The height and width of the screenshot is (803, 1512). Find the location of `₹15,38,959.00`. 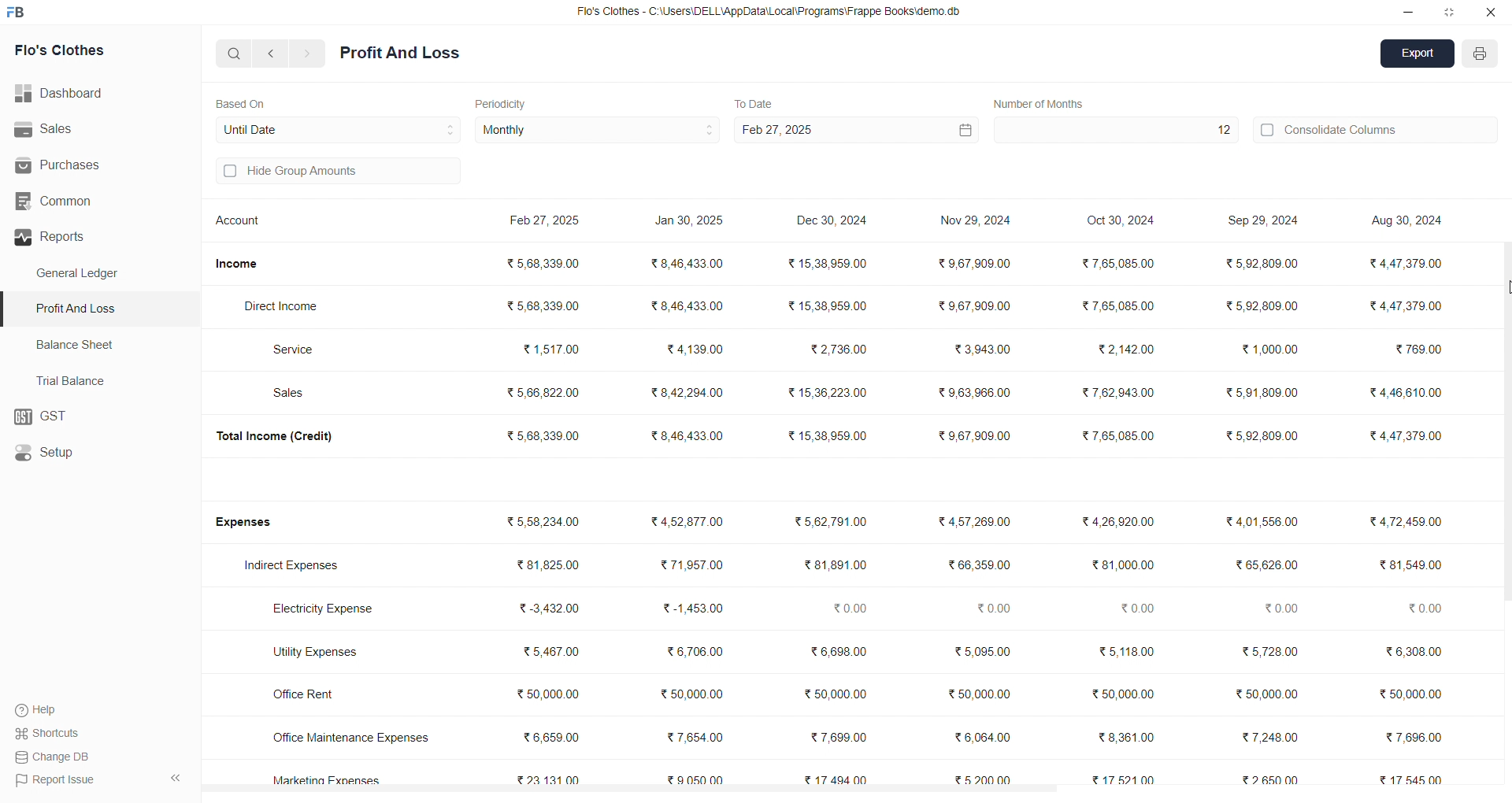

₹15,38,959.00 is located at coordinates (836, 264).